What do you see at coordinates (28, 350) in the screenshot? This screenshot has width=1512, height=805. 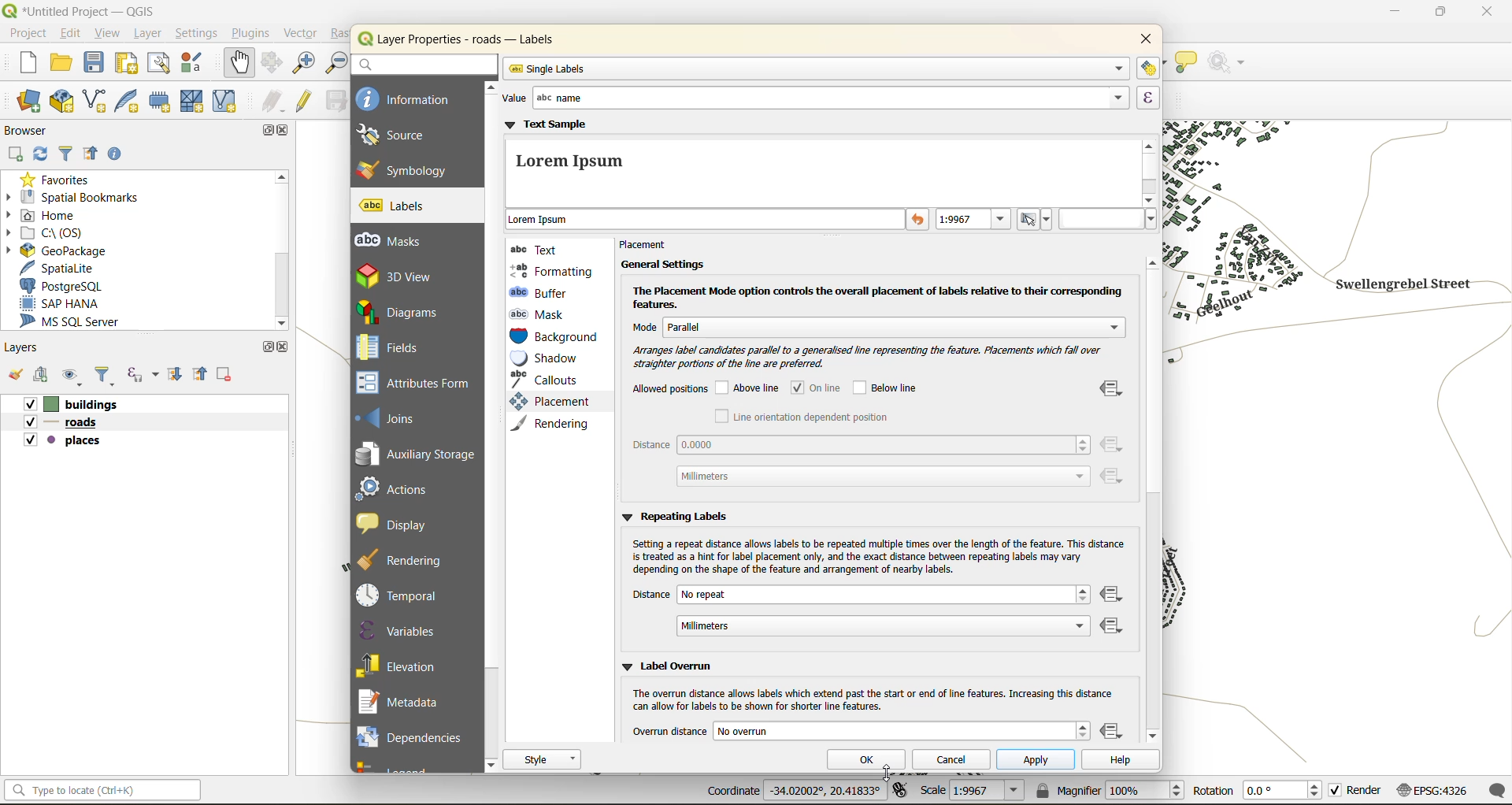 I see `layers` at bounding box center [28, 350].